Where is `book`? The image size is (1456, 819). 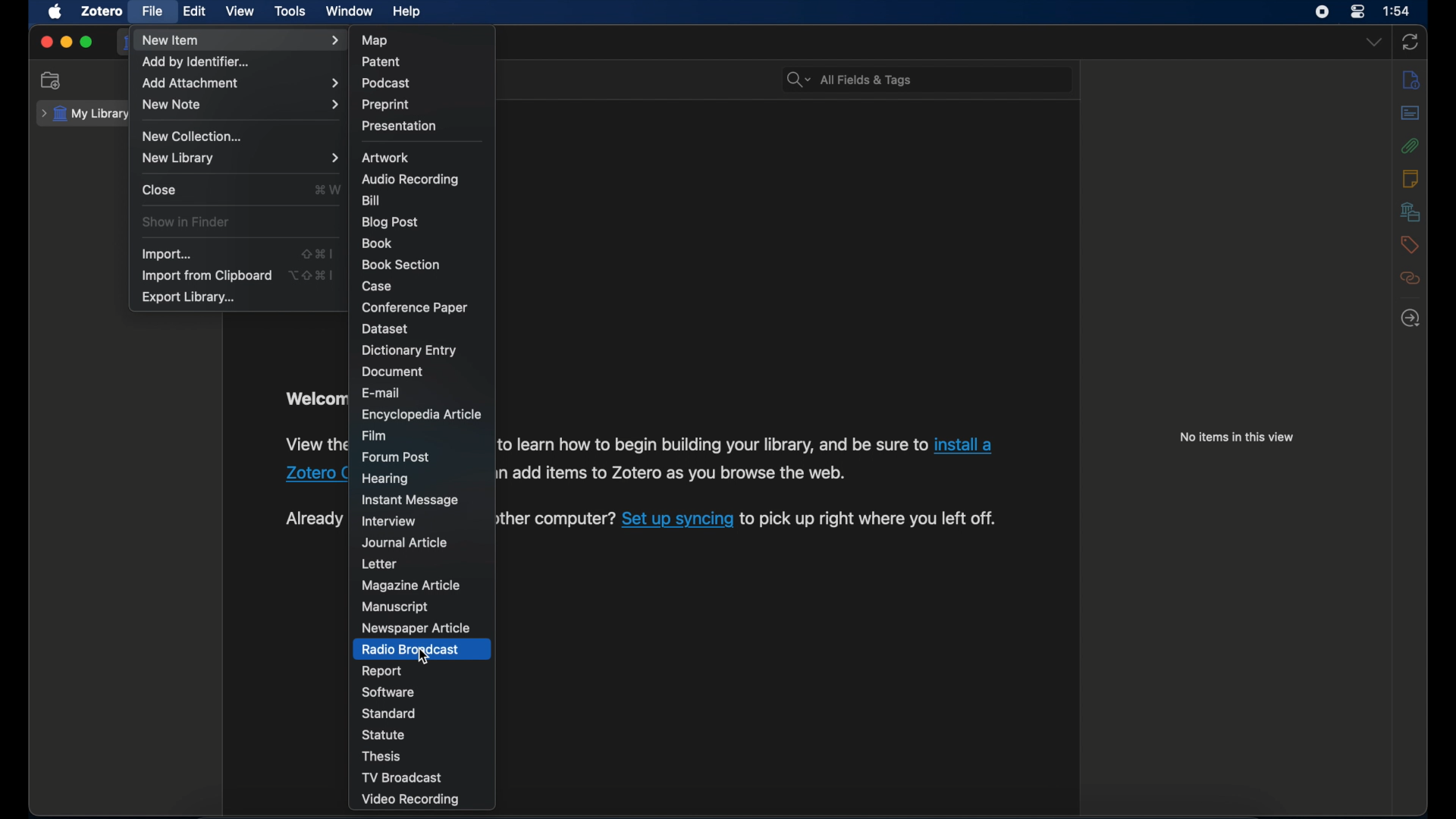 book is located at coordinates (378, 243).